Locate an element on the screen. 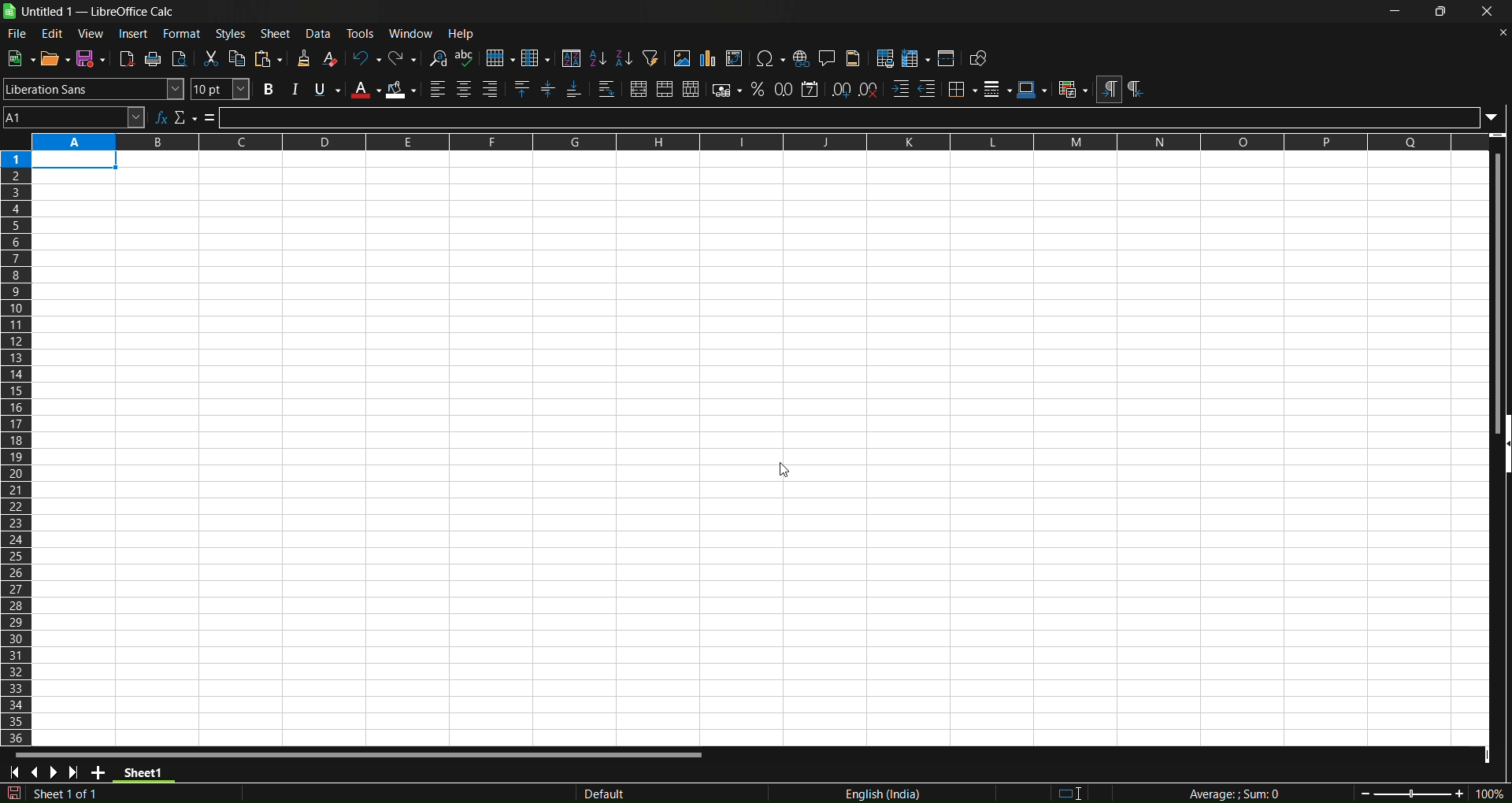  sheet is located at coordinates (277, 33).